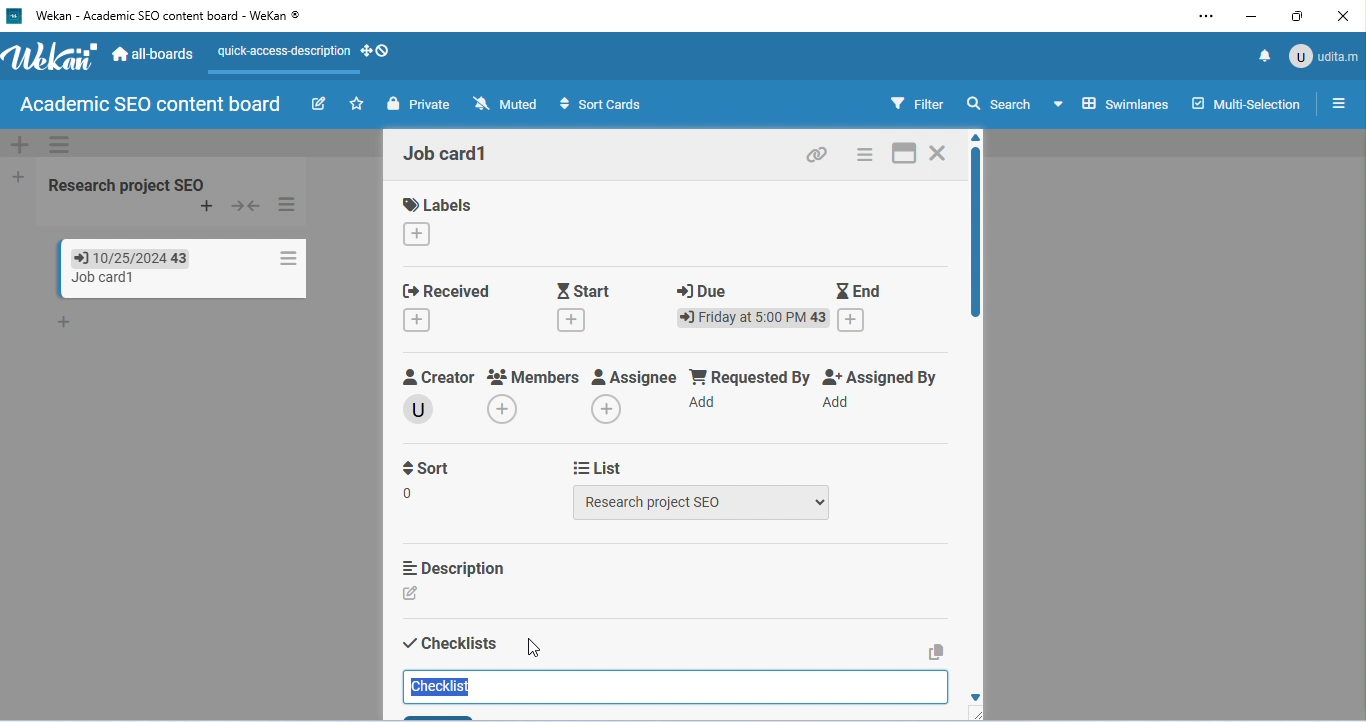  What do you see at coordinates (973, 238) in the screenshot?
I see `vertical scroll bar` at bounding box center [973, 238].